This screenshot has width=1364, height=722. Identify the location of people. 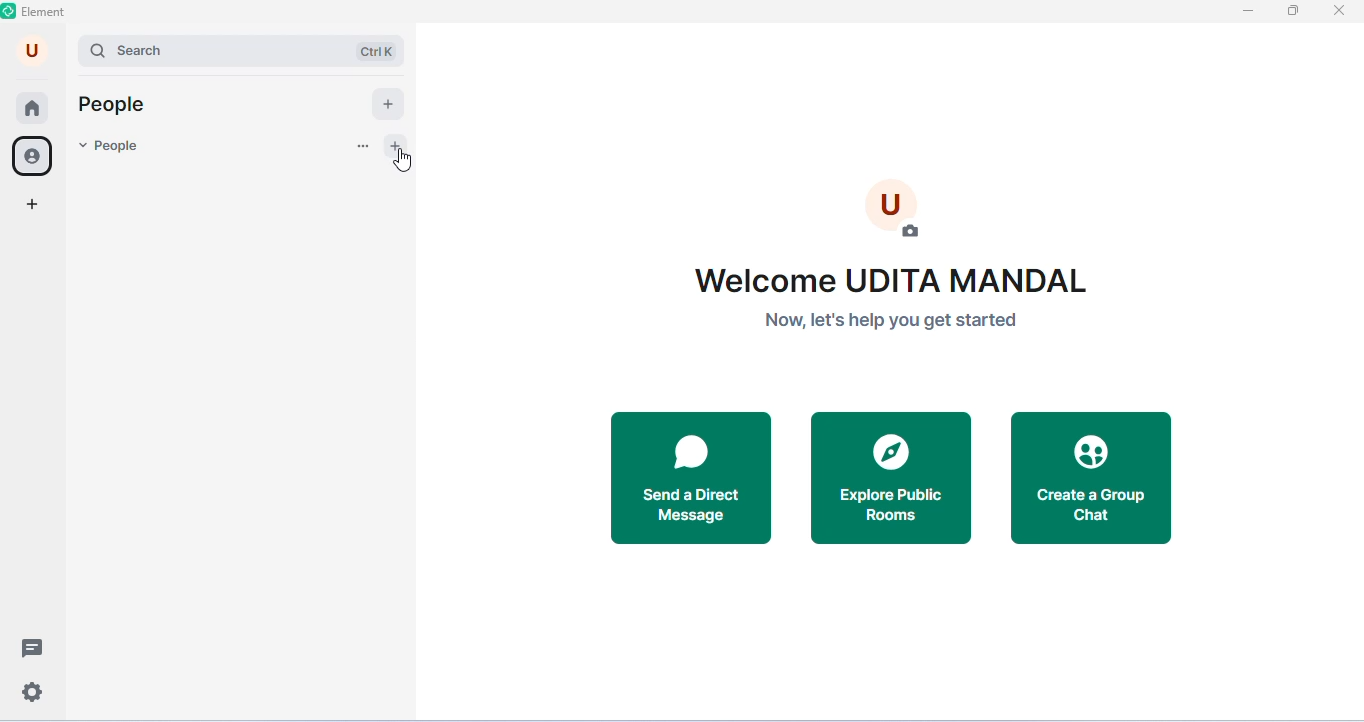
(114, 106).